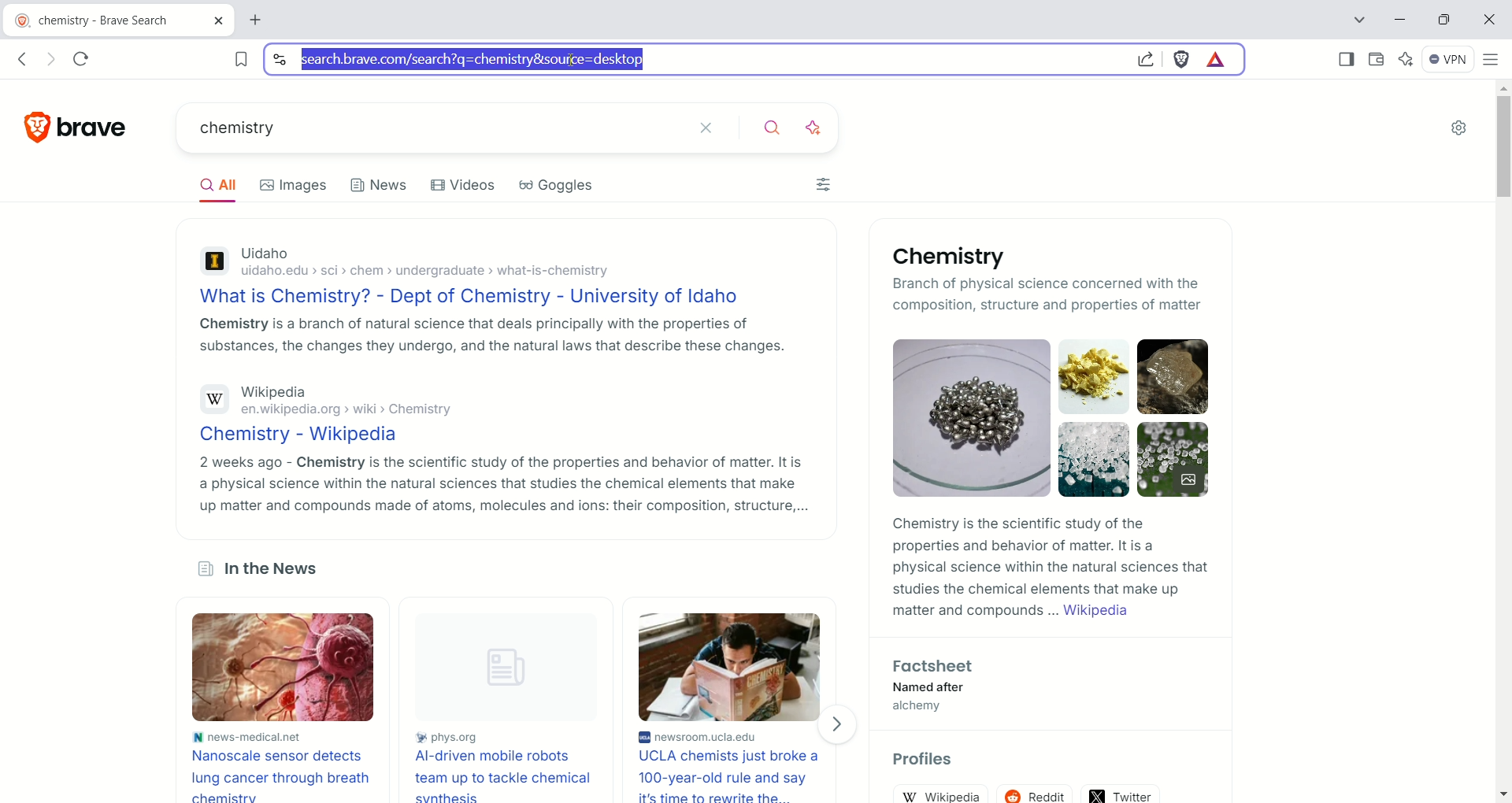  Describe the element at coordinates (1501, 442) in the screenshot. I see `vertical scroll bar` at that location.